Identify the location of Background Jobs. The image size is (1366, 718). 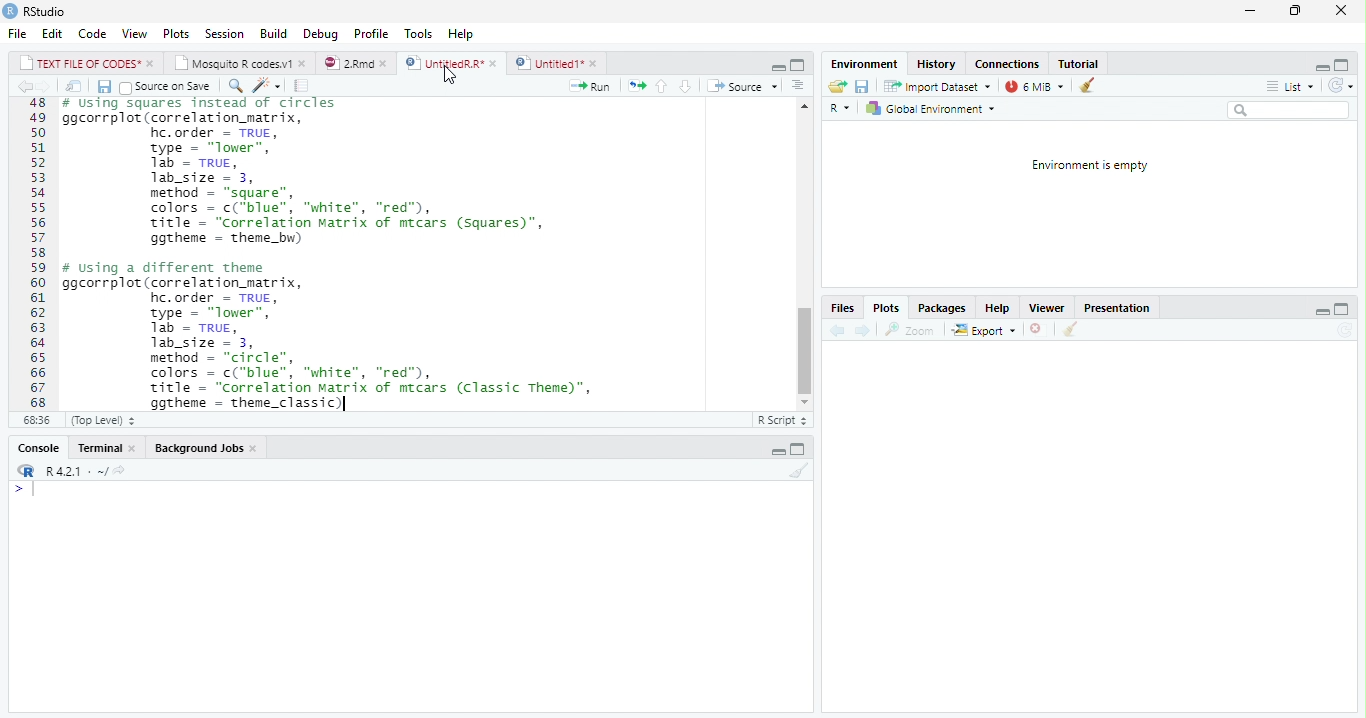
(205, 450).